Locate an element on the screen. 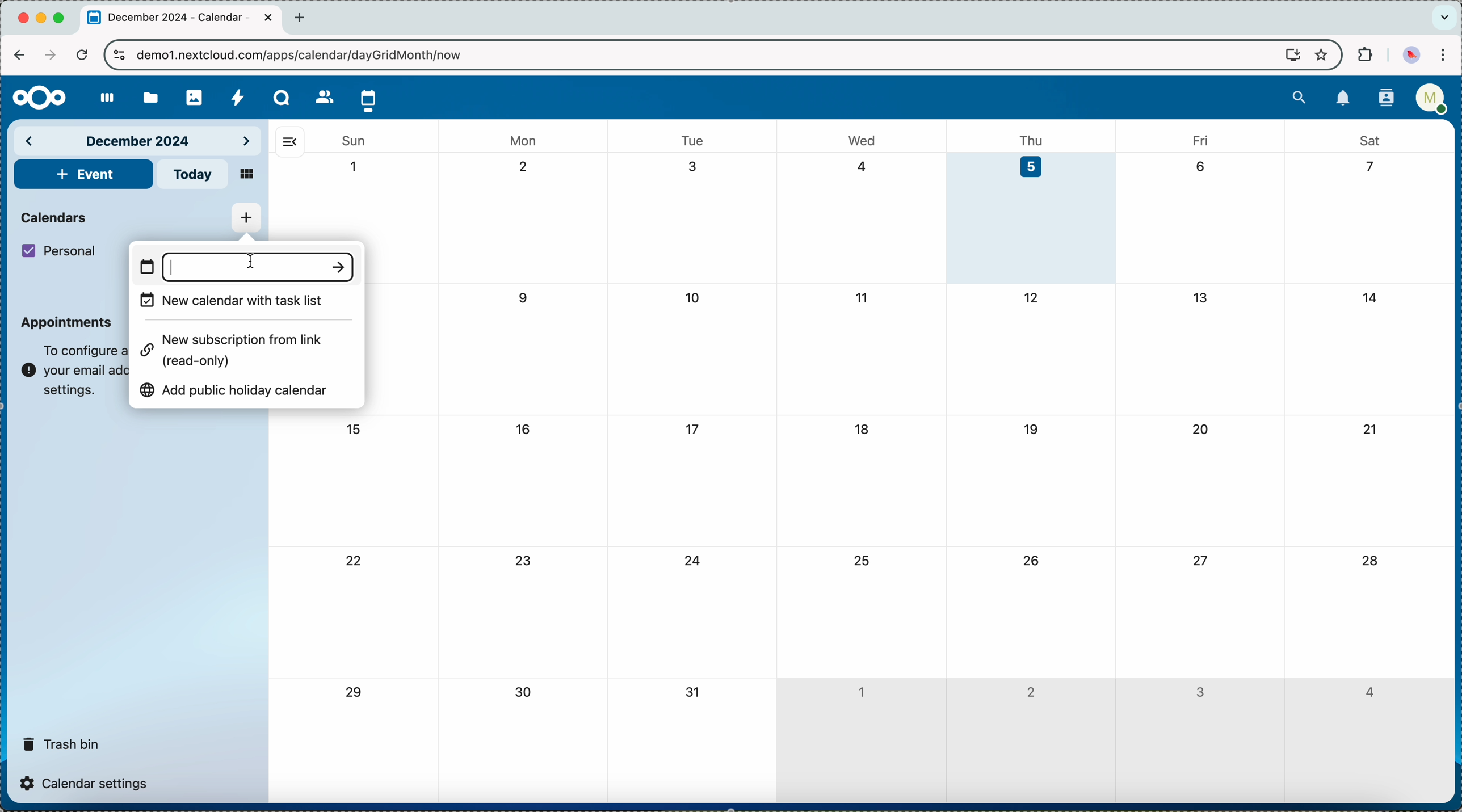 Image resolution: width=1462 pixels, height=812 pixels. 22 is located at coordinates (355, 563).